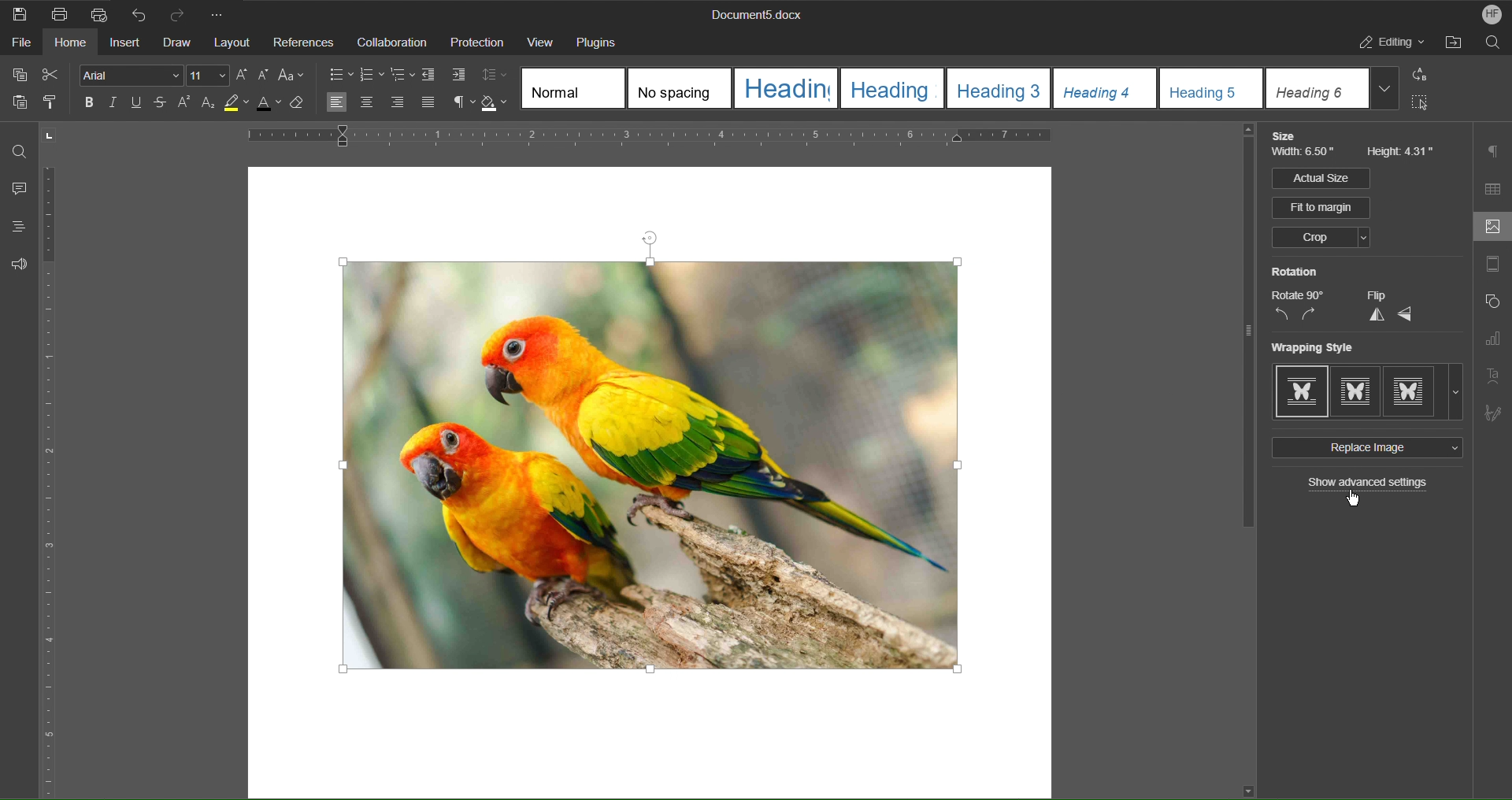 The image size is (1512, 800). I want to click on Text Color, so click(274, 107).